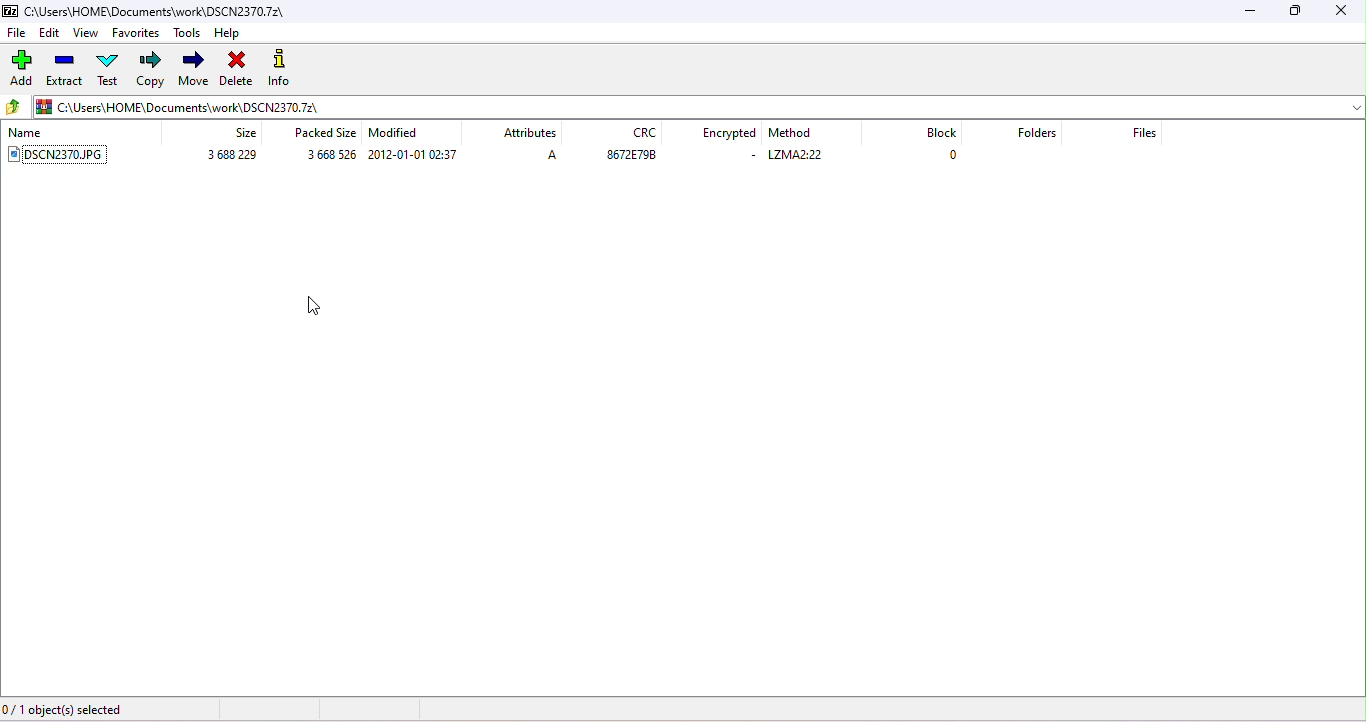 This screenshot has width=1366, height=722. Describe the element at coordinates (1146, 136) in the screenshot. I see `files` at that location.